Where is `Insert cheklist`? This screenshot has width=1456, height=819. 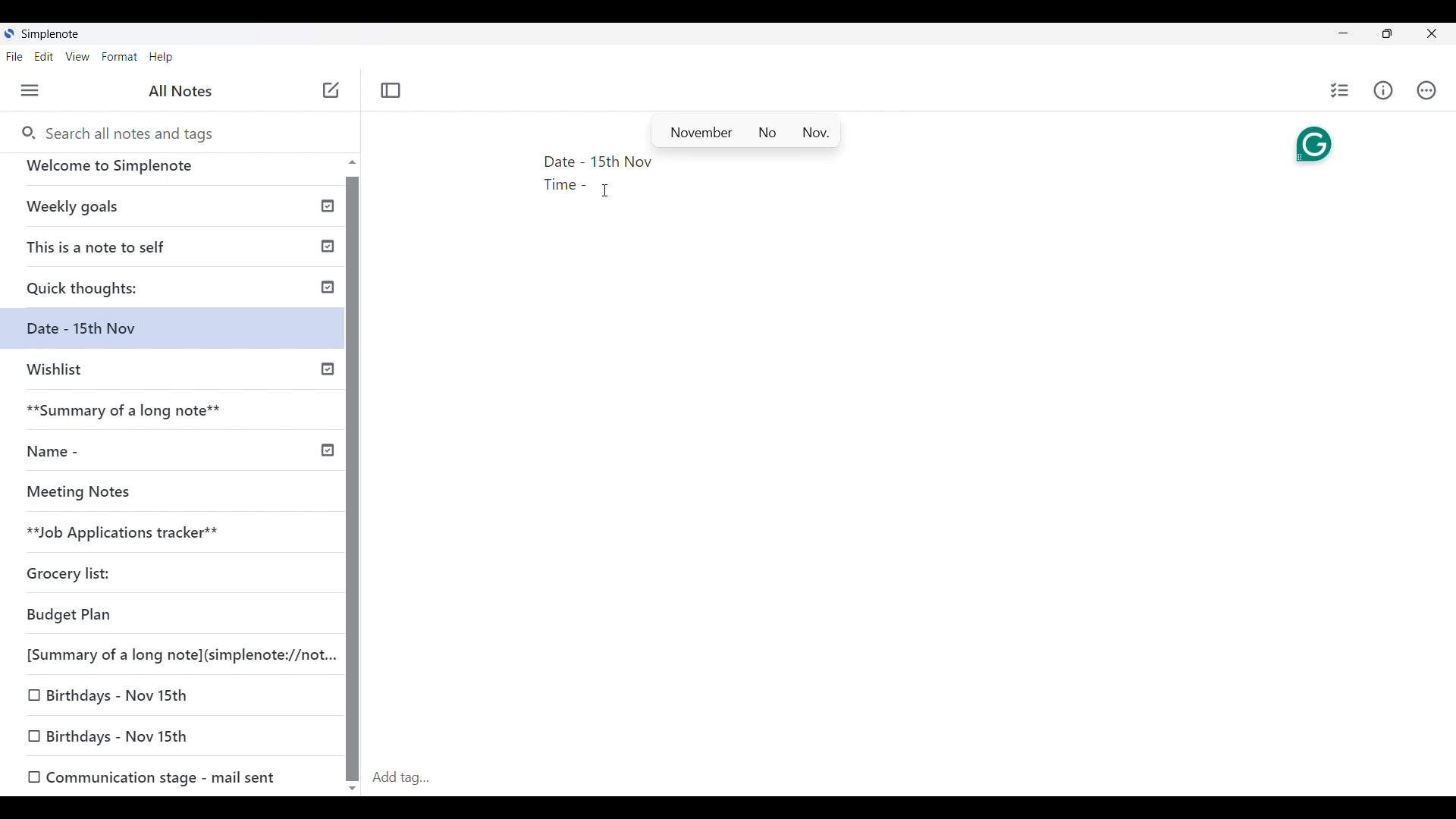
Insert cheklist is located at coordinates (1339, 90).